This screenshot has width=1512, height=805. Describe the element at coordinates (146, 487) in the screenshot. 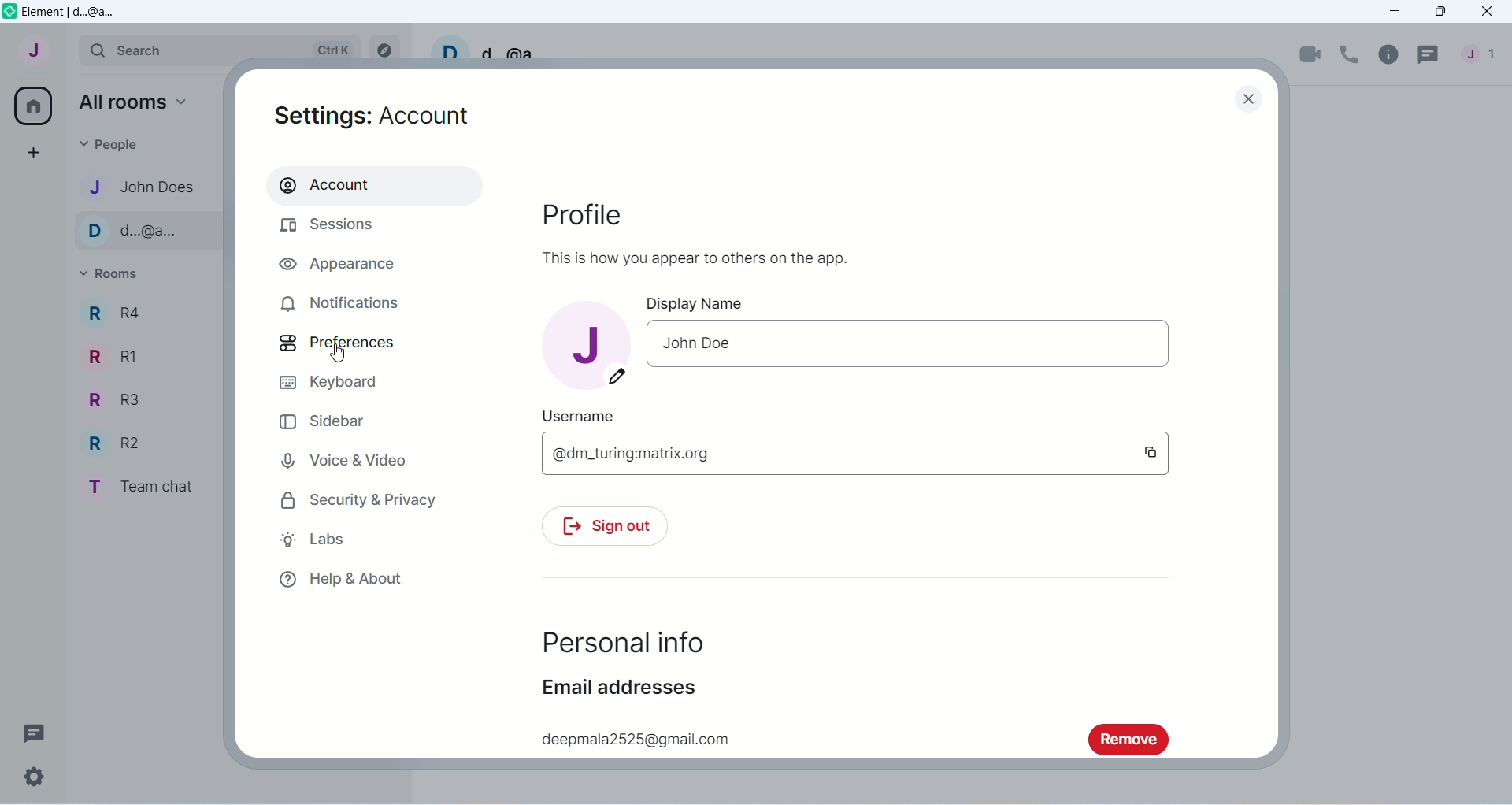

I see `Room Team chat` at that location.